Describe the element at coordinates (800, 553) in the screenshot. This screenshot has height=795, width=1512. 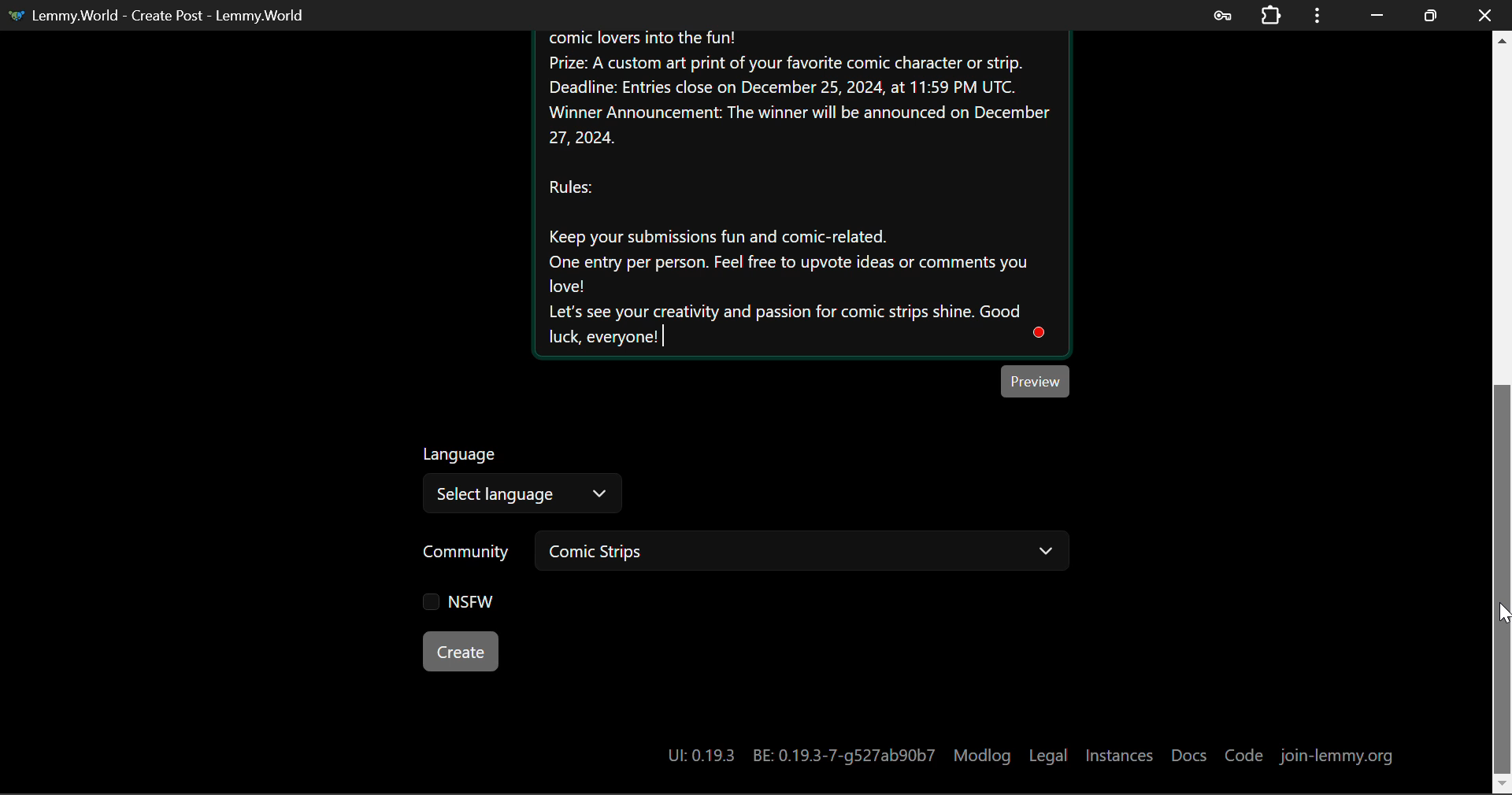
I see `Comic Strips` at that location.